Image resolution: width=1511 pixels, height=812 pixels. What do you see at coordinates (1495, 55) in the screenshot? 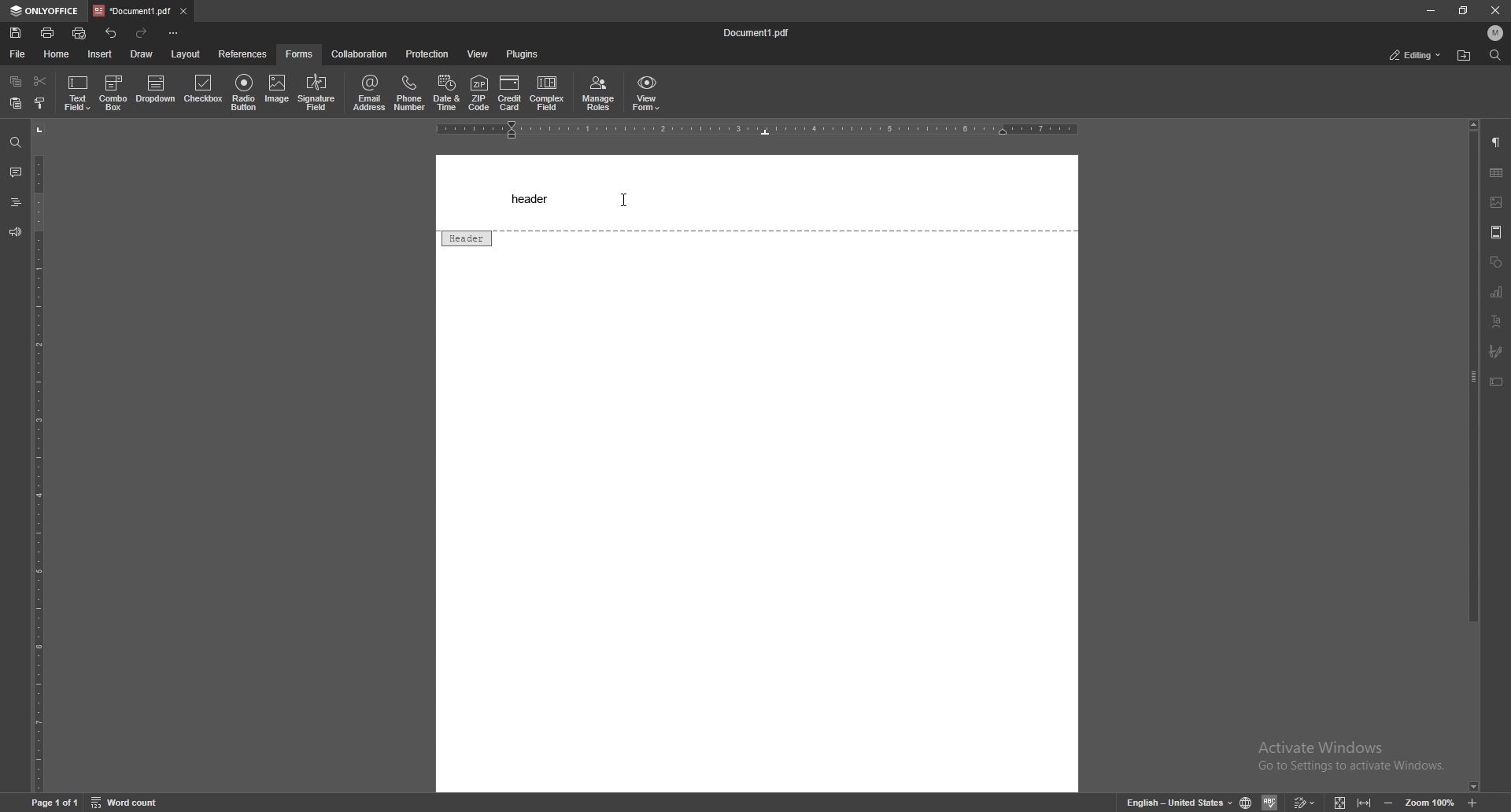
I see `find` at bounding box center [1495, 55].